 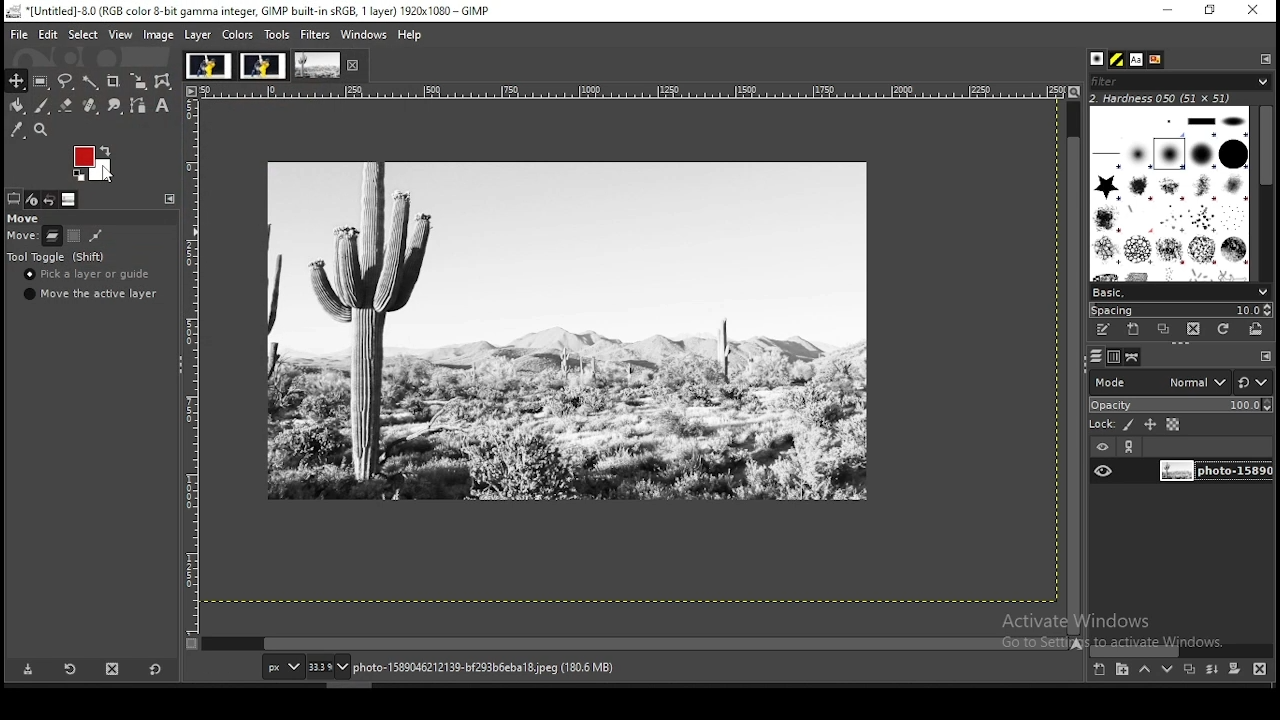 I want to click on duplicate brush, so click(x=1163, y=330).